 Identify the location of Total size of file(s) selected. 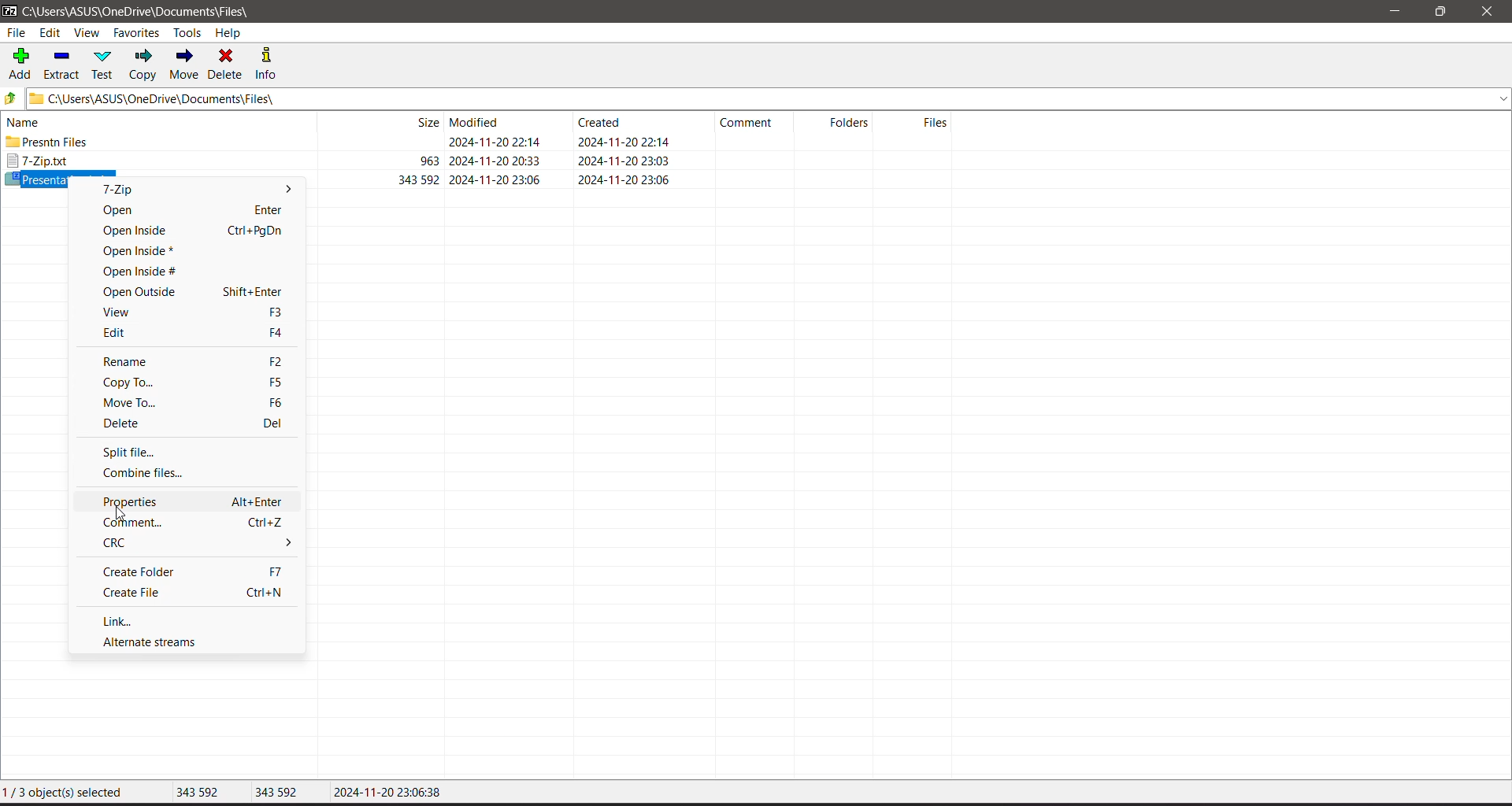
(201, 793).